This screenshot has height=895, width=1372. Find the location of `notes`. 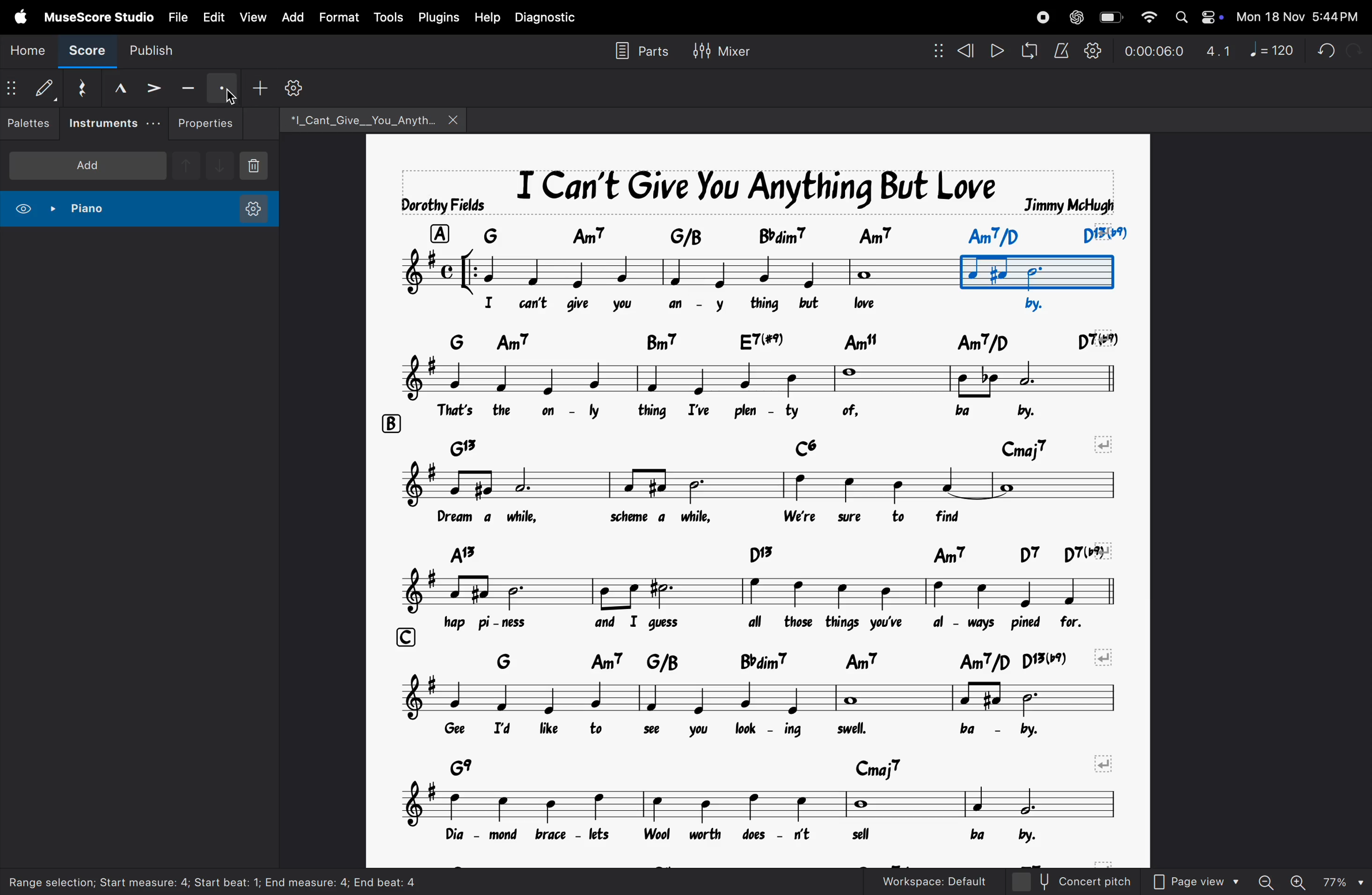

notes is located at coordinates (755, 804).